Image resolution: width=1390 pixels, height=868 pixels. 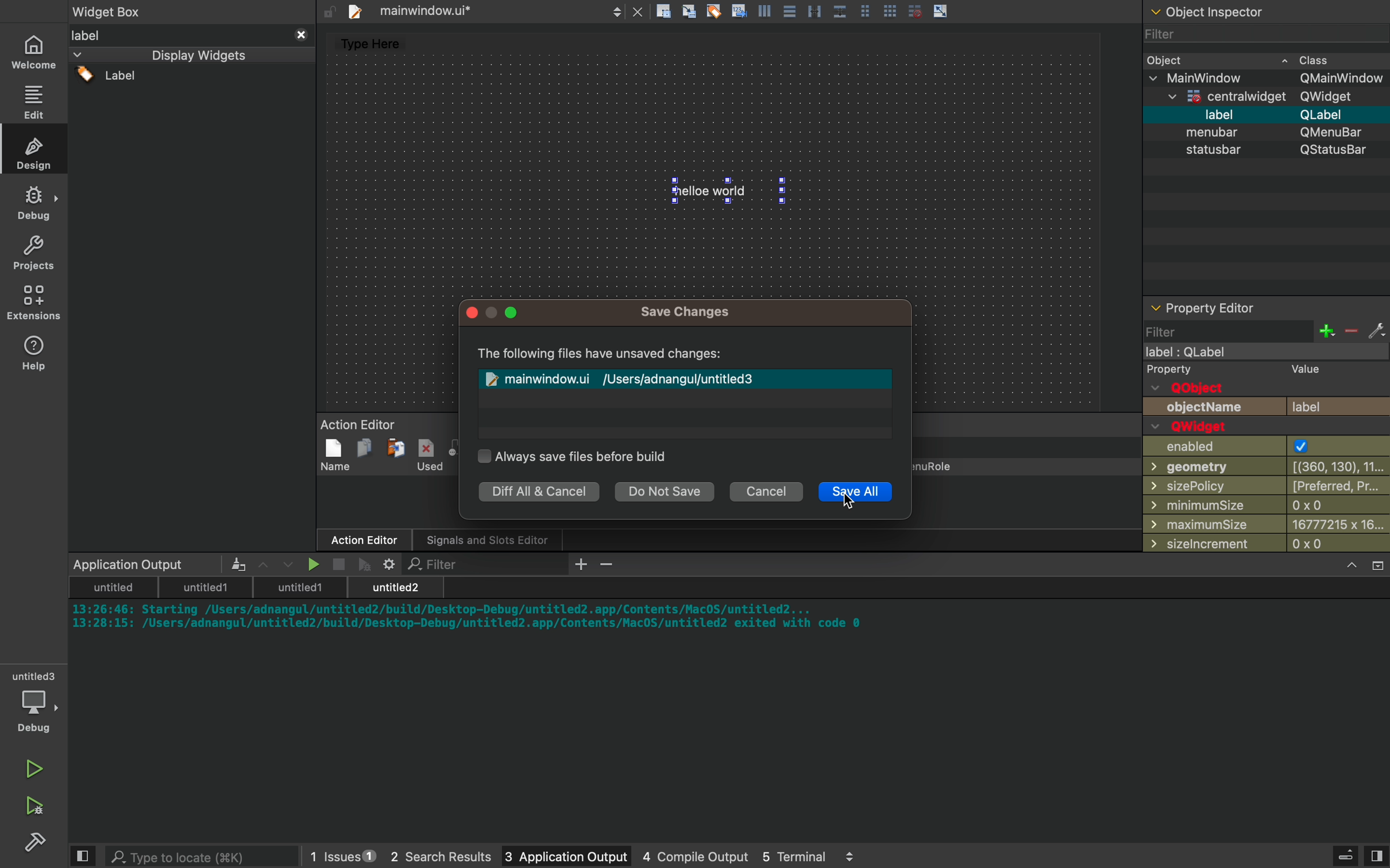 I want to click on save, so click(x=853, y=493).